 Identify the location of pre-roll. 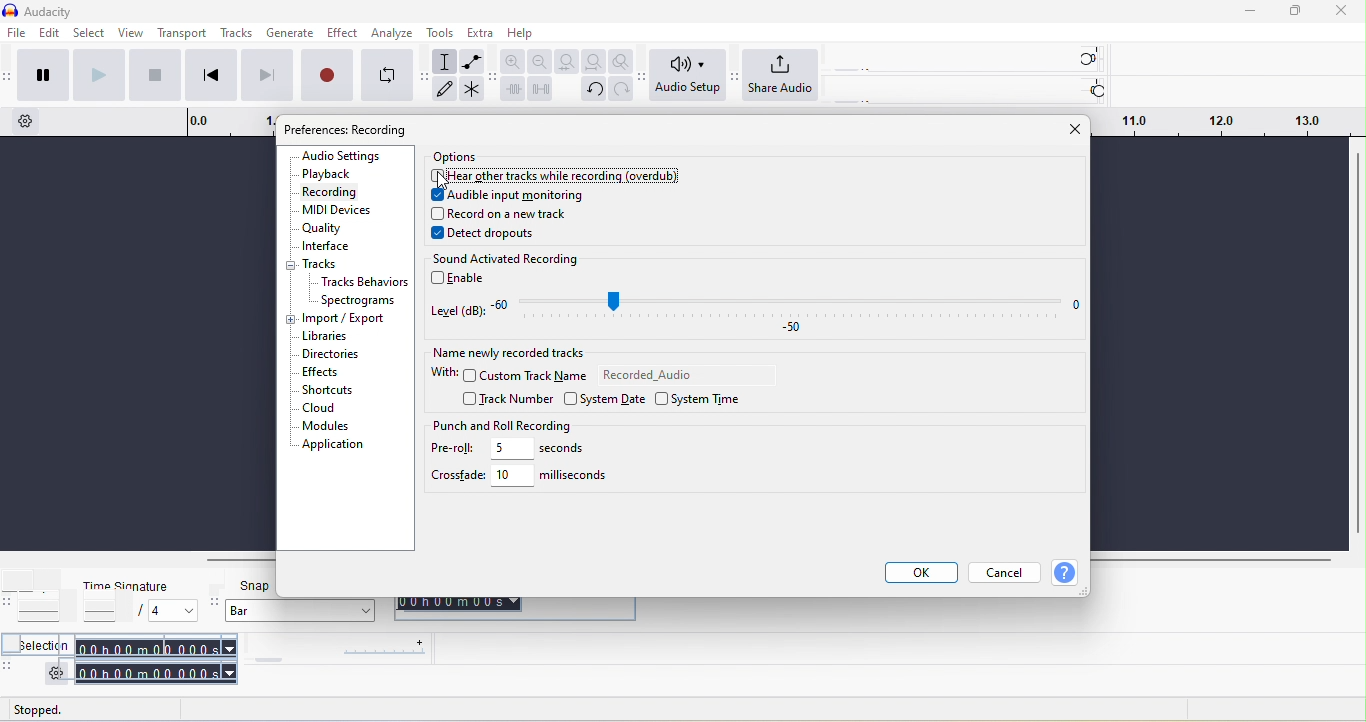
(452, 449).